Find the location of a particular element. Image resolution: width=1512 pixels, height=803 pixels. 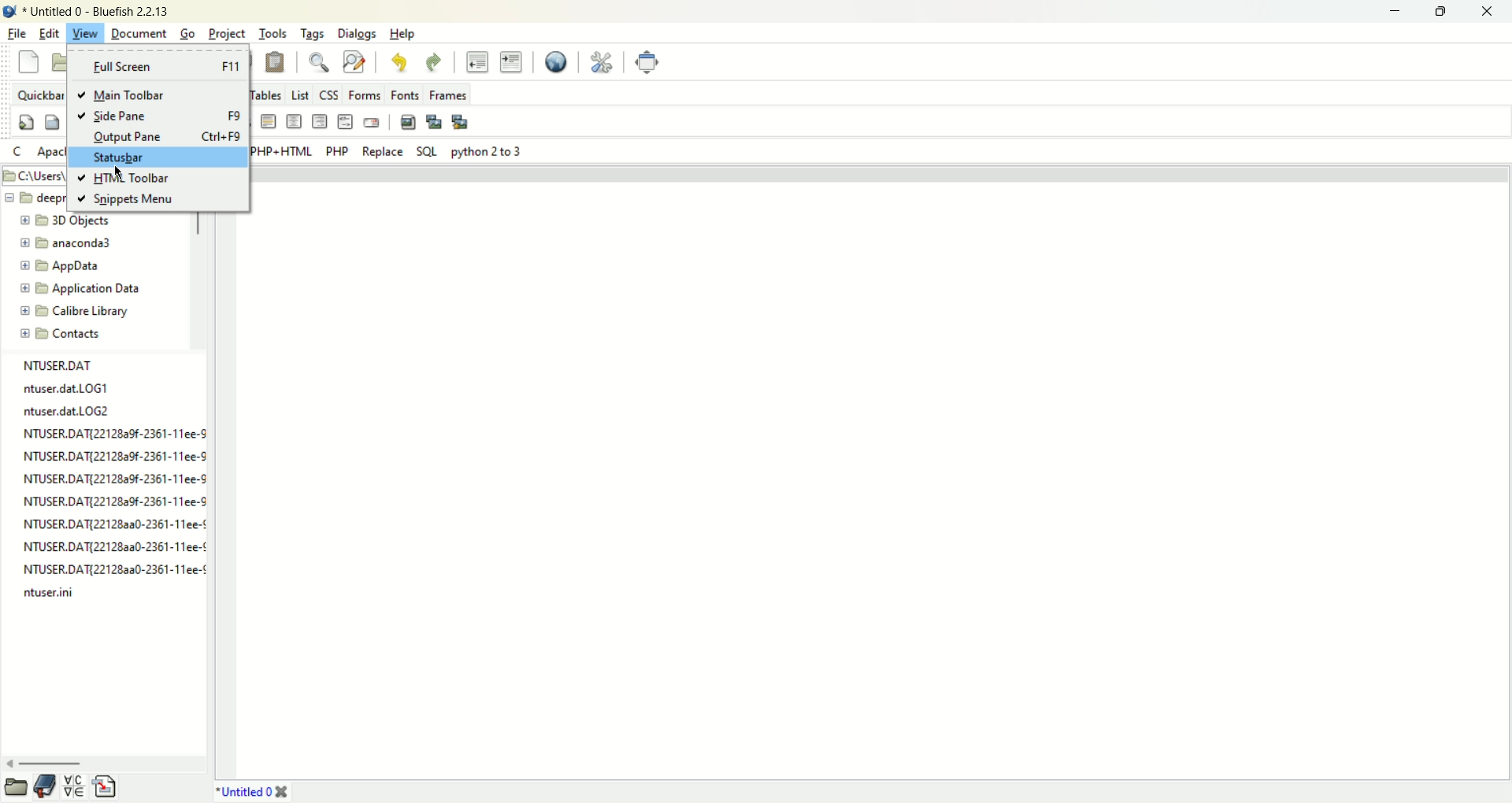

scroll bar is located at coordinates (201, 283).